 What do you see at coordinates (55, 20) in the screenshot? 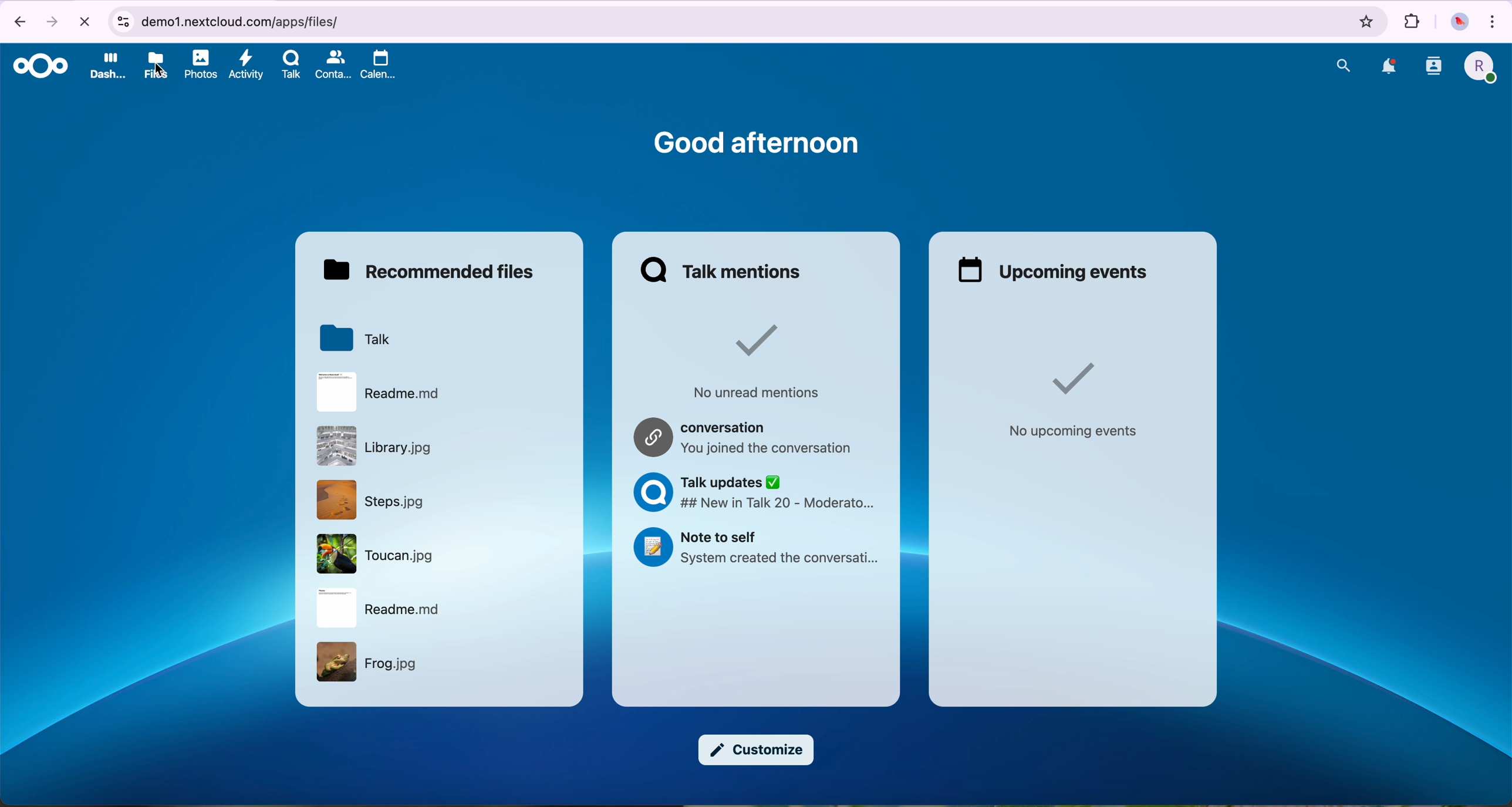
I see `navigate foward` at bounding box center [55, 20].